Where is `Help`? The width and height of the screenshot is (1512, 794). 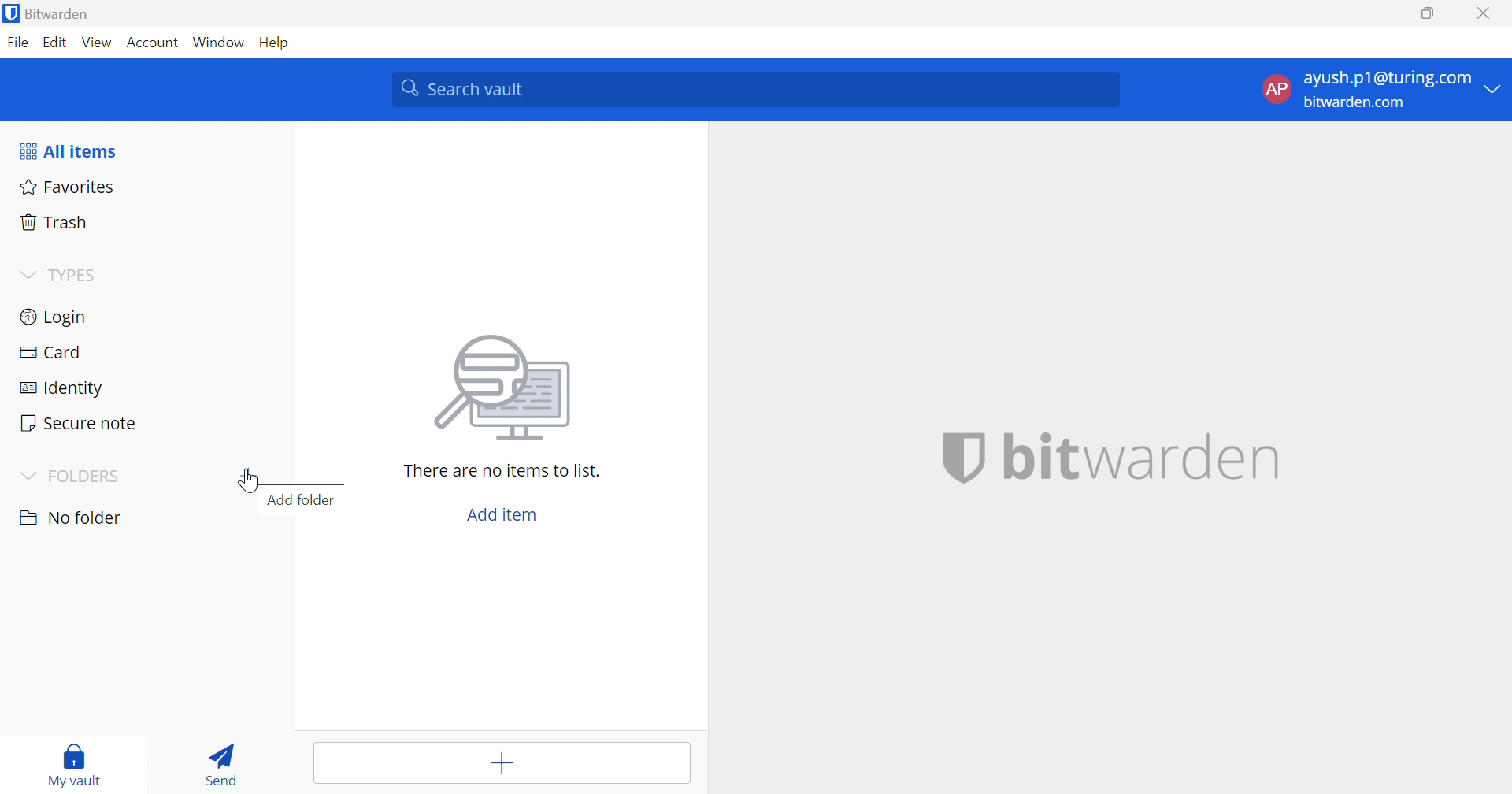
Help is located at coordinates (272, 41).